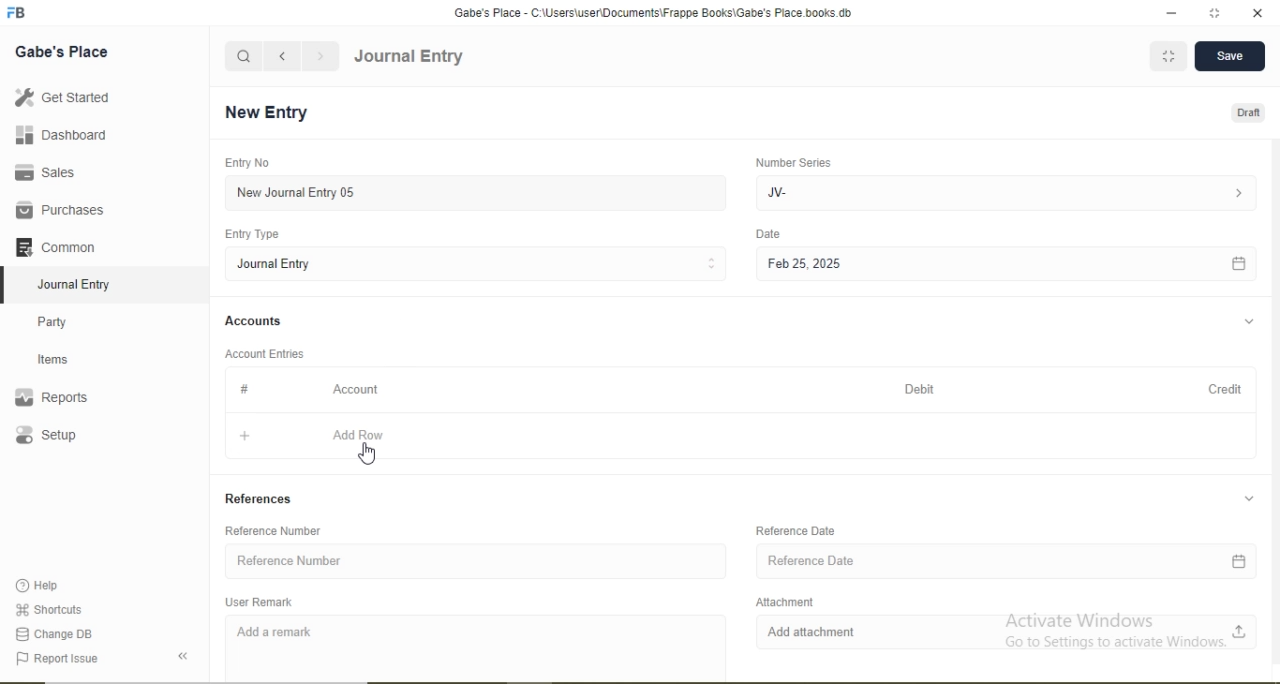 The width and height of the screenshot is (1280, 684). Describe the element at coordinates (1212, 13) in the screenshot. I see `resize` at that location.